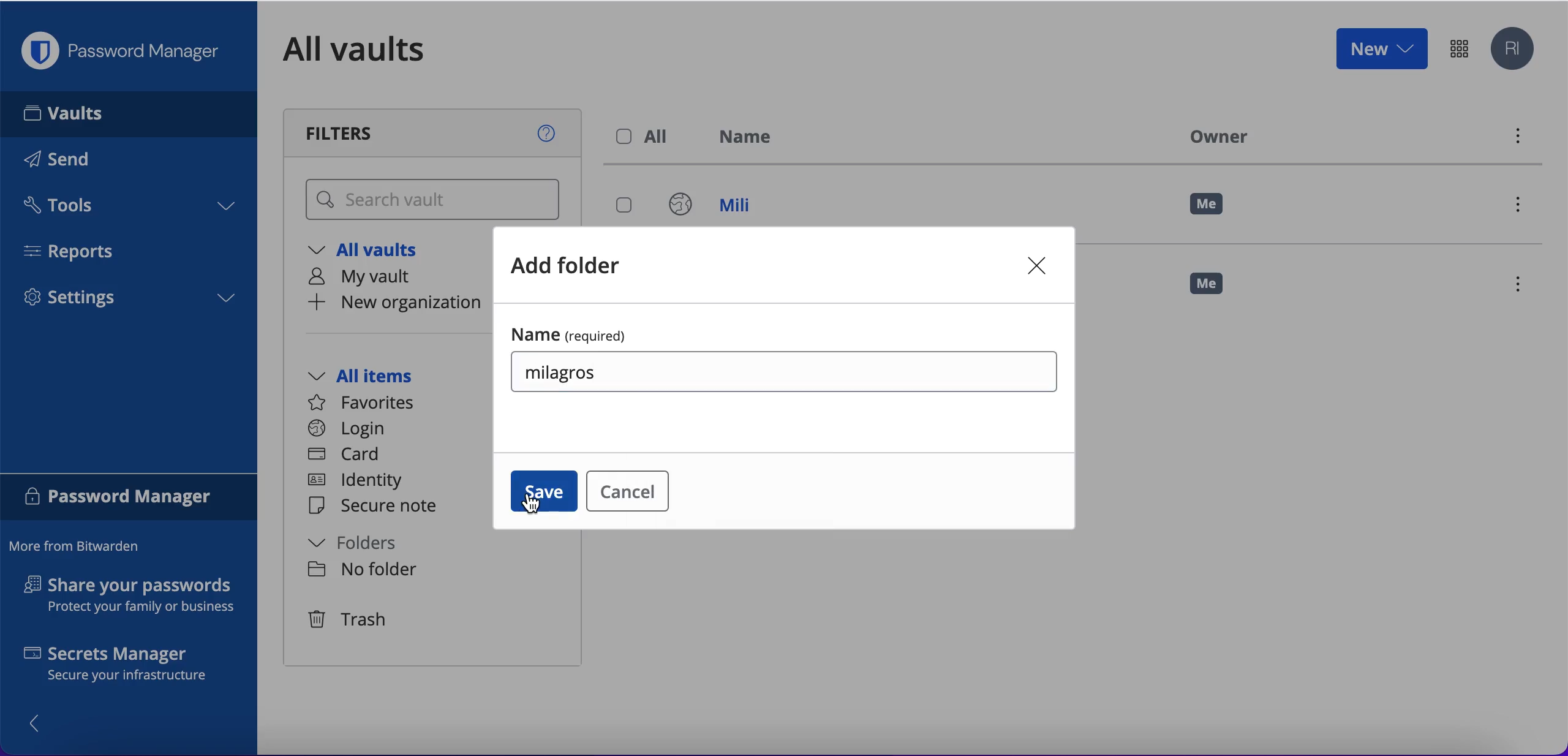  What do you see at coordinates (41, 722) in the screenshot?
I see `show/hide panel` at bounding box center [41, 722].